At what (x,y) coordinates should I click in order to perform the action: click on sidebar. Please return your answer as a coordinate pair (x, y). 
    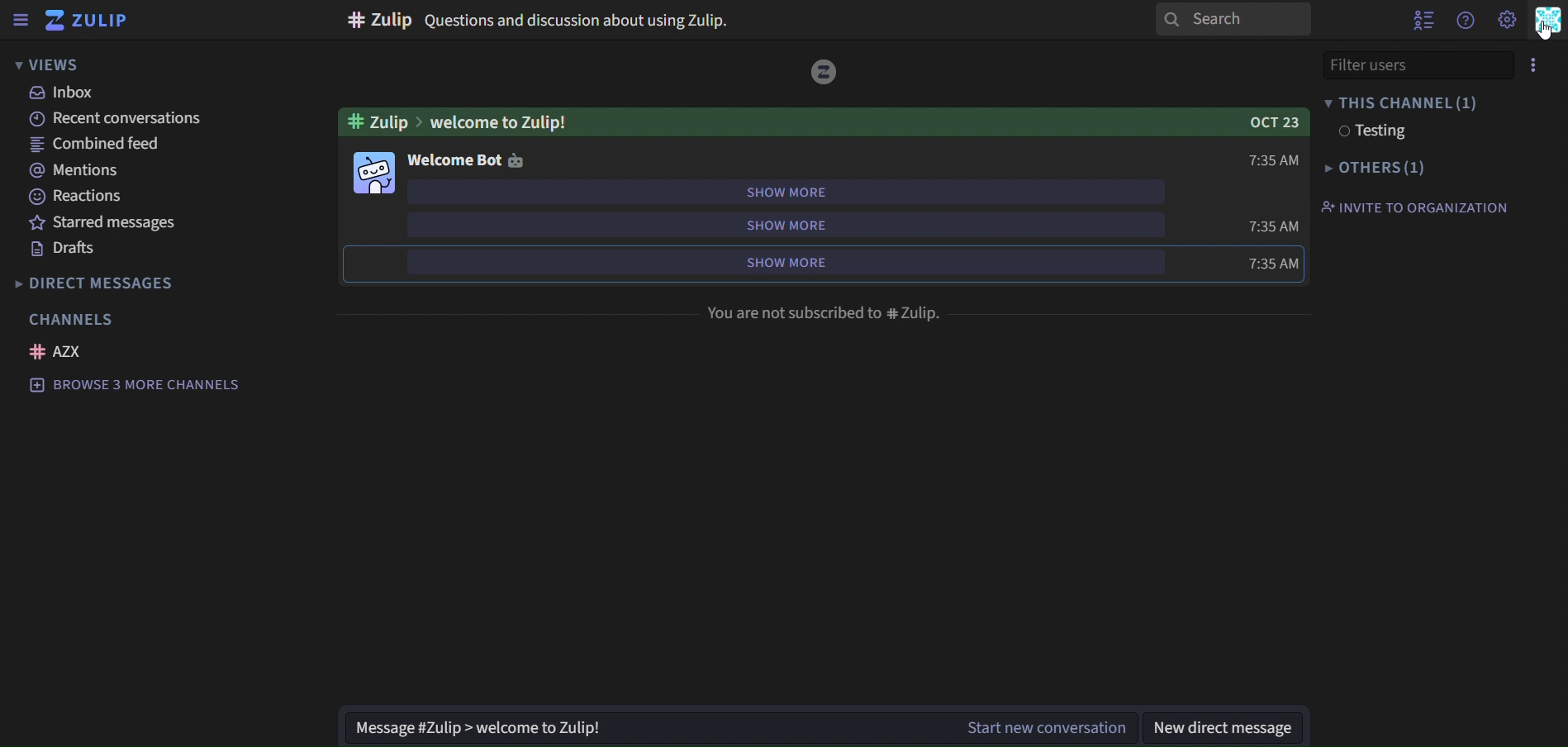
    Looking at the image, I should click on (18, 21).